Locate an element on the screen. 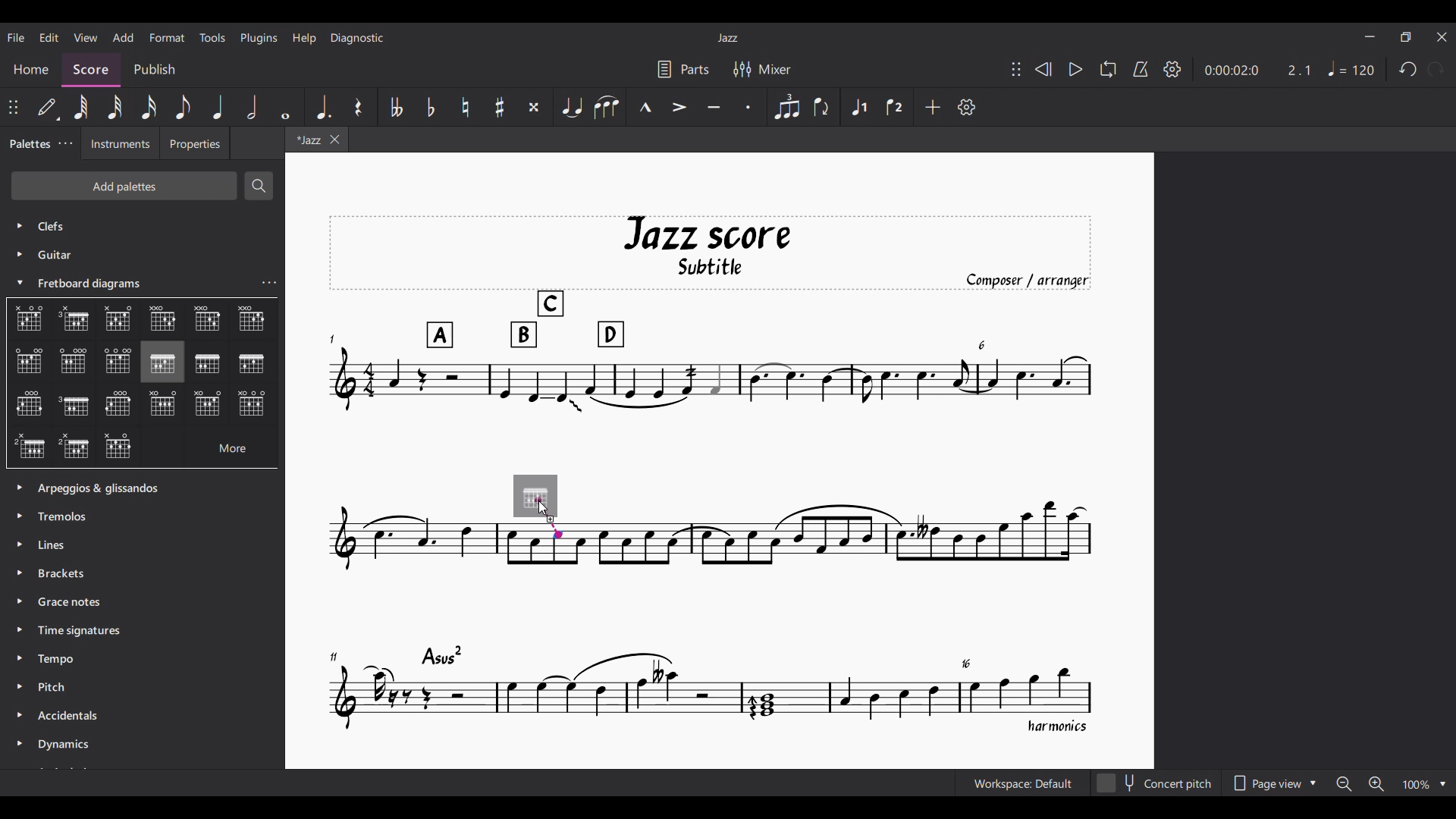 The image size is (1456, 819). Chart 14 is located at coordinates (119, 405).